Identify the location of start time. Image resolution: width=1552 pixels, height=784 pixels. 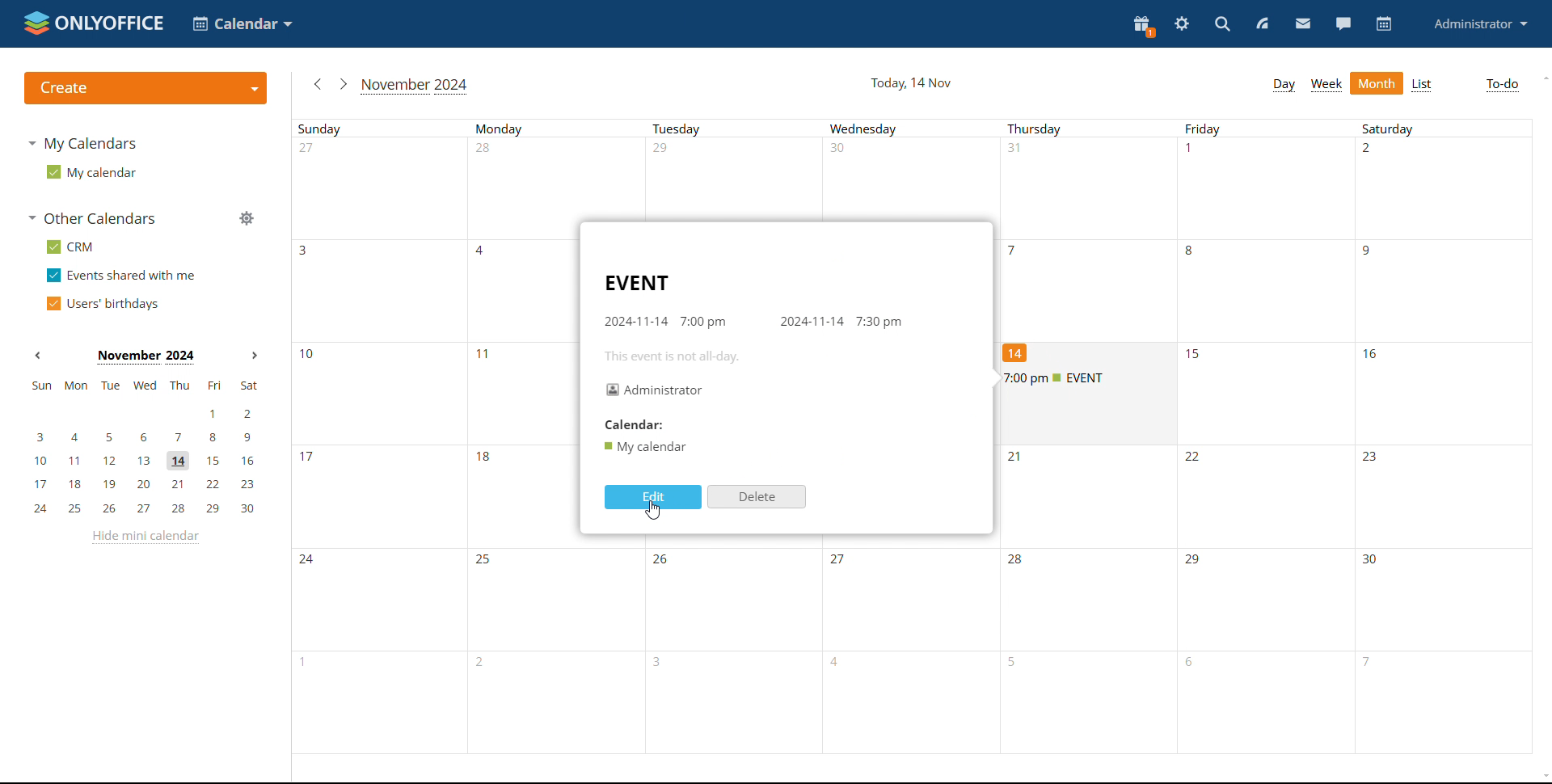
(703, 322).